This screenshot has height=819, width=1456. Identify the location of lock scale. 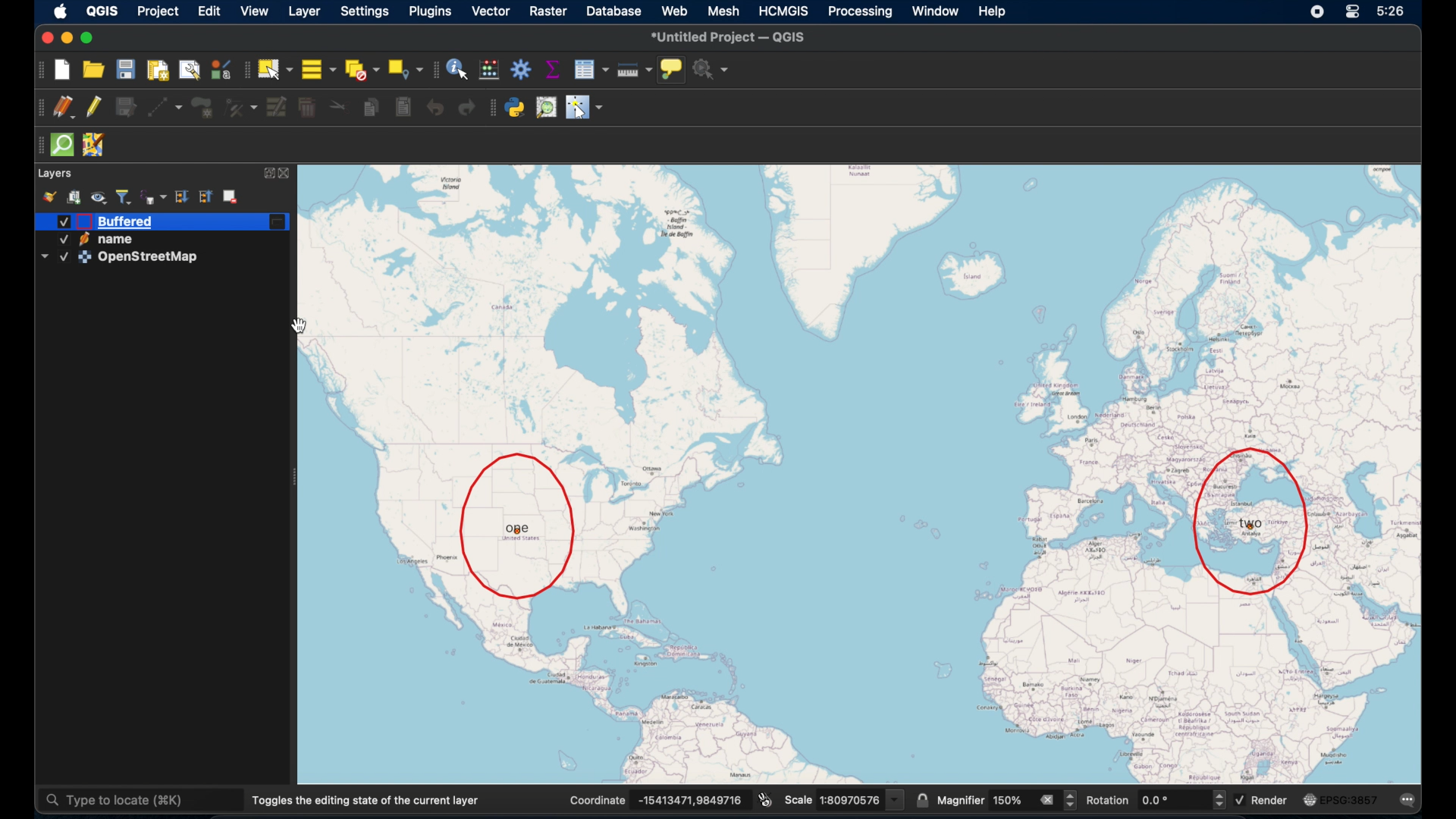
(921, 799).